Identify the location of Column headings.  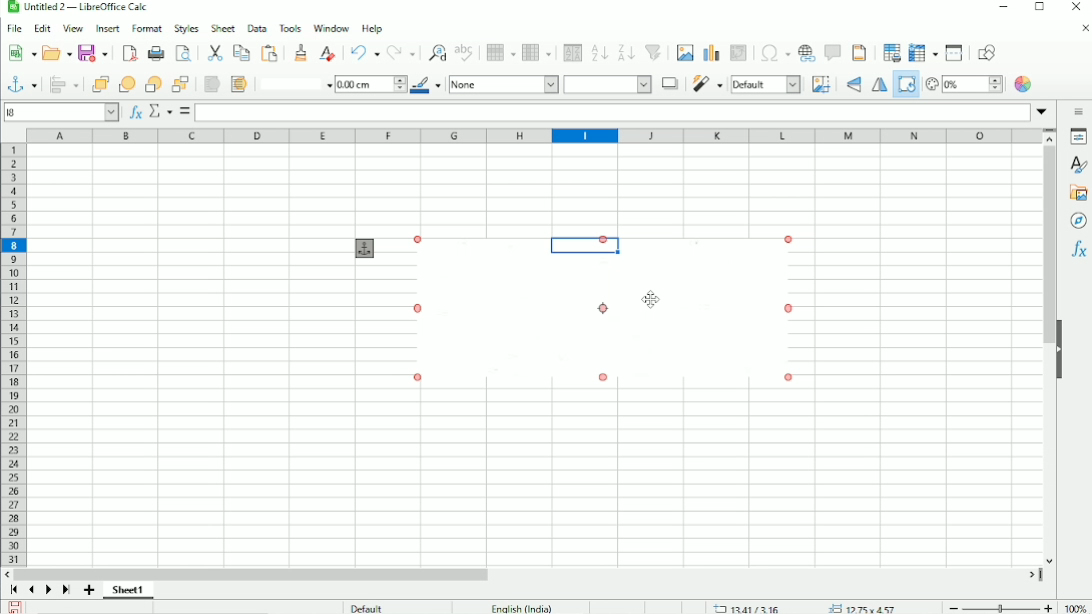
(532, 136).